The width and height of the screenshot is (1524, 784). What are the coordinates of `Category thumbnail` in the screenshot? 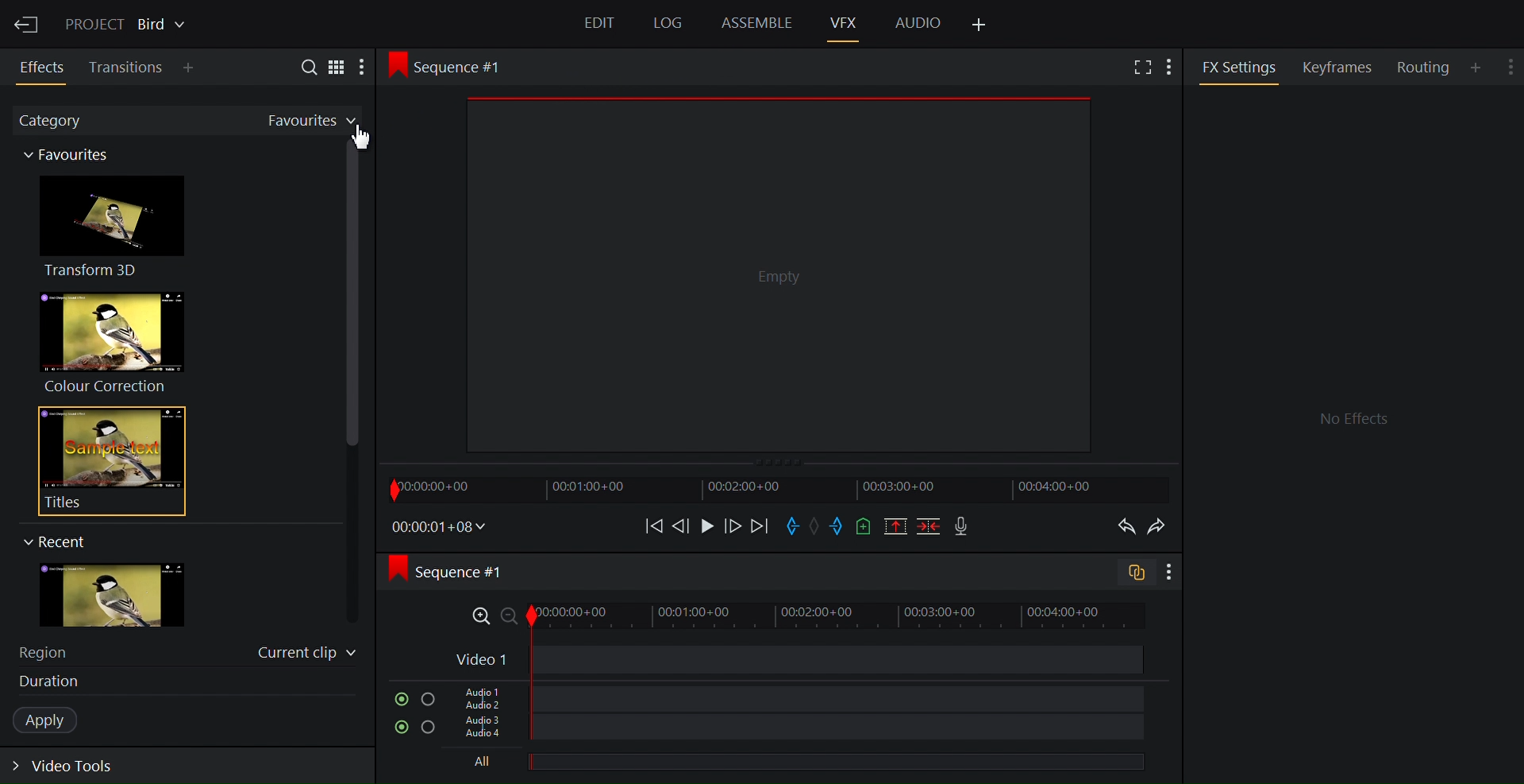 It's located at (68, 159).